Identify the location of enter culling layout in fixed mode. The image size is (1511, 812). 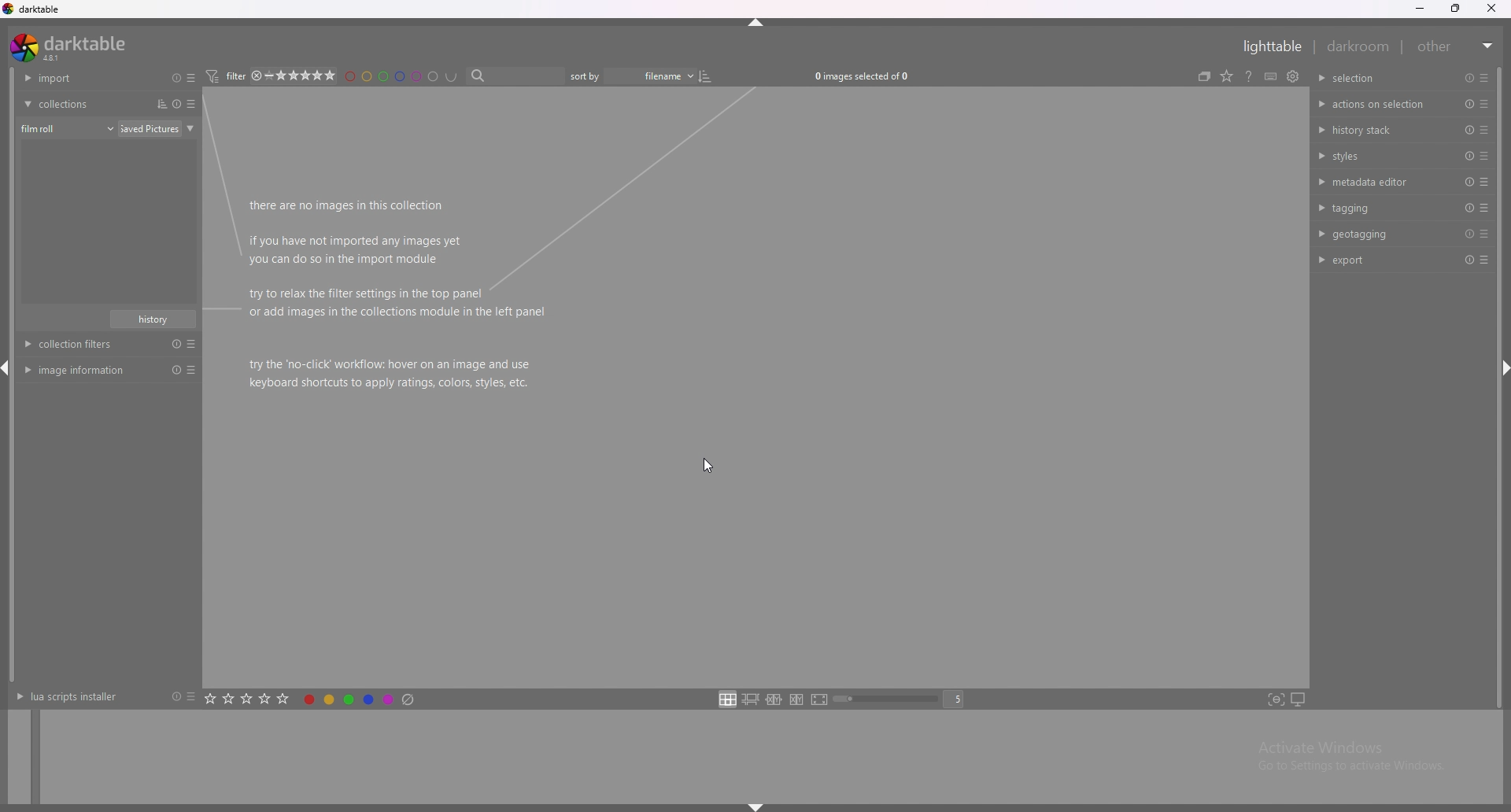
(774, 700).